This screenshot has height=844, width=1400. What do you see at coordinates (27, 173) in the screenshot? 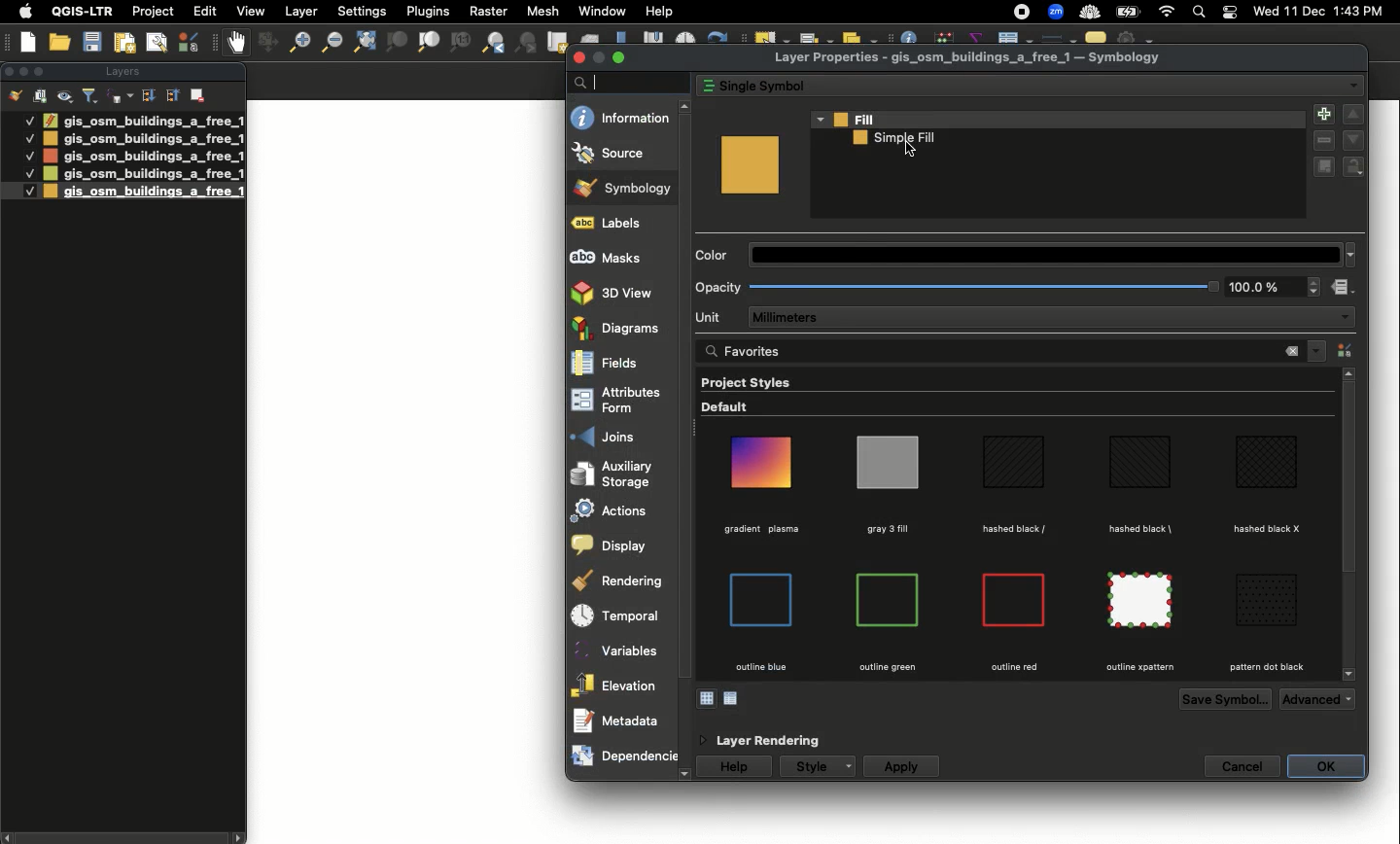
I see `Checked` at bounding box center [27, 173].